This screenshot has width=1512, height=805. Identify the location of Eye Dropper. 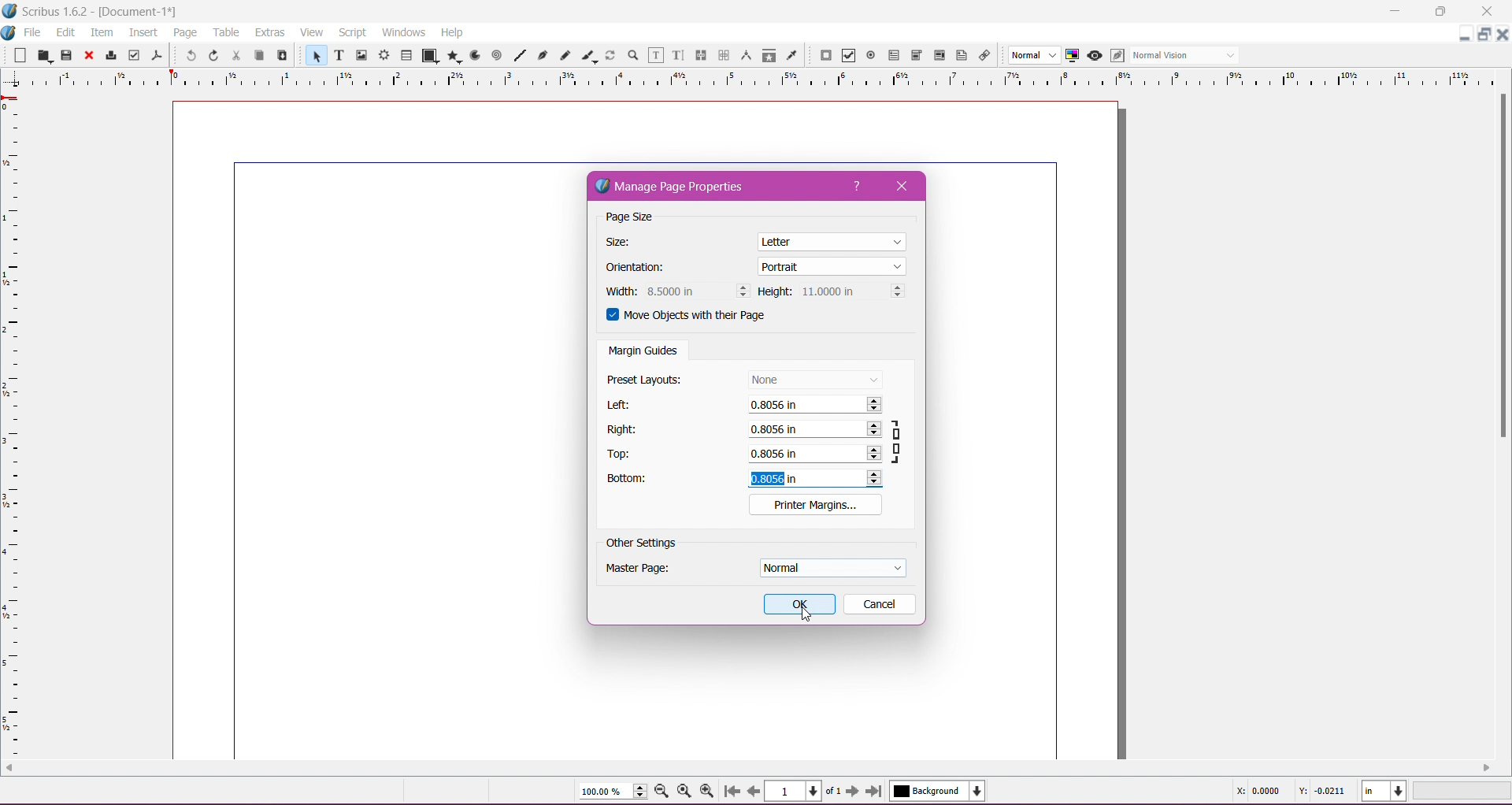
(791, 55).